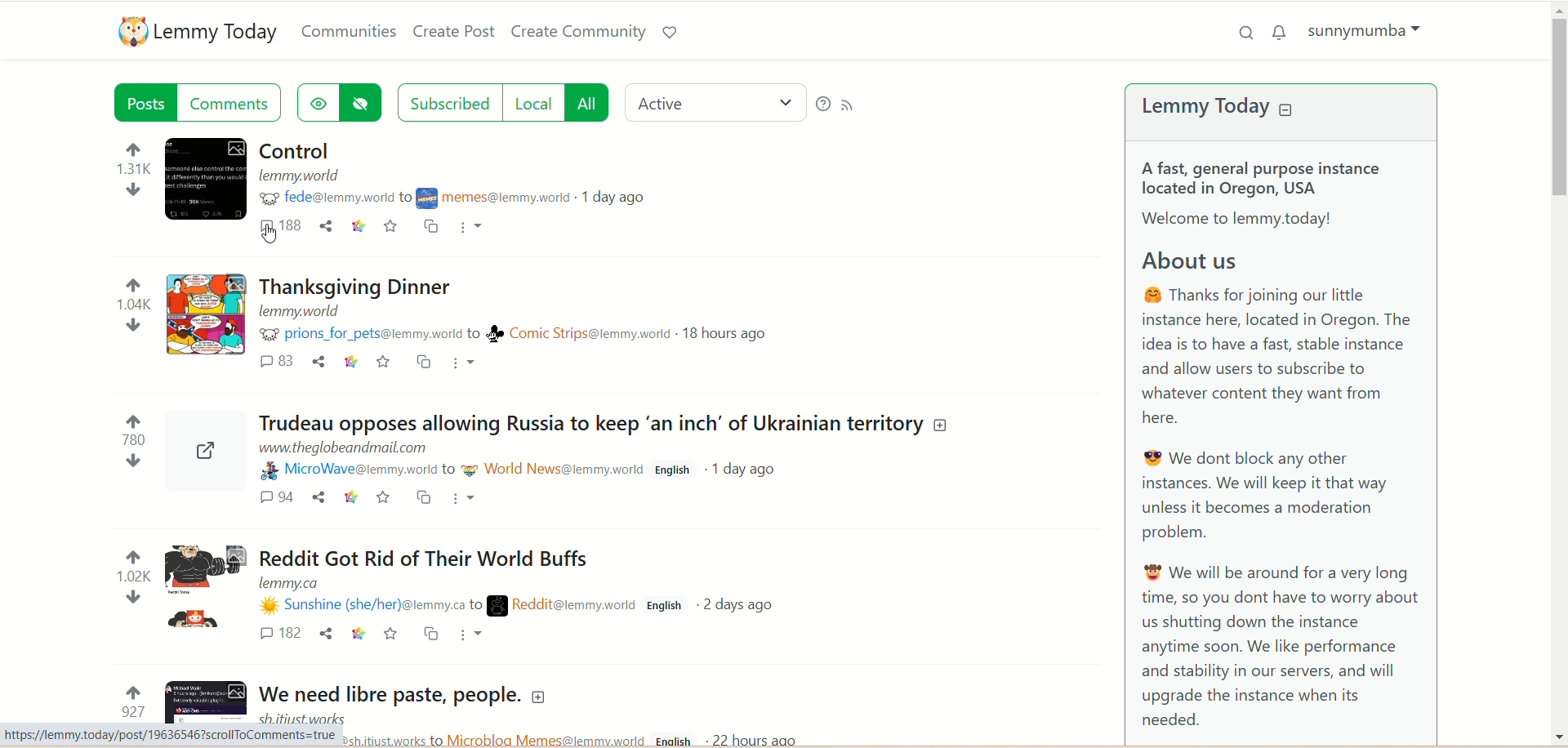 The width and height of the screenshot is (1568, 748). What do you see at coordinates (359, 227) in the screenshot?
I see `link` at bounding box center [359, 227].